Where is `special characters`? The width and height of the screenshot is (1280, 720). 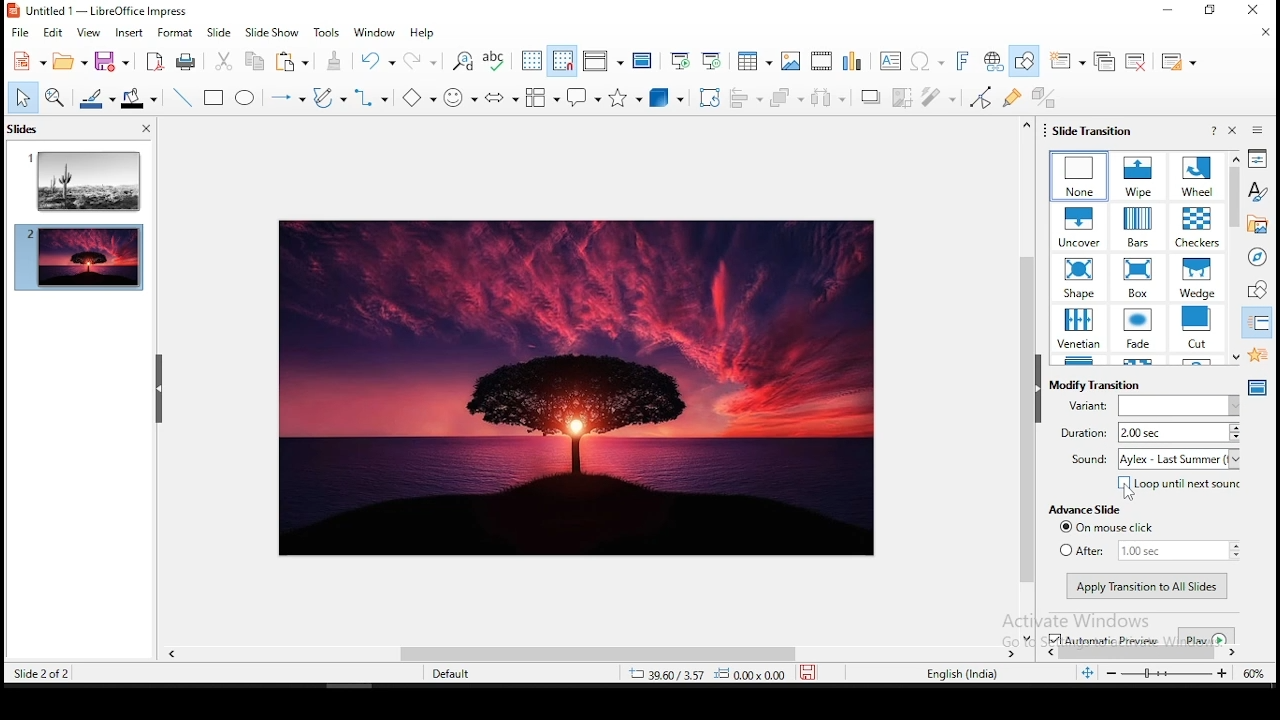 special characters is located at coordinates (926, 62).